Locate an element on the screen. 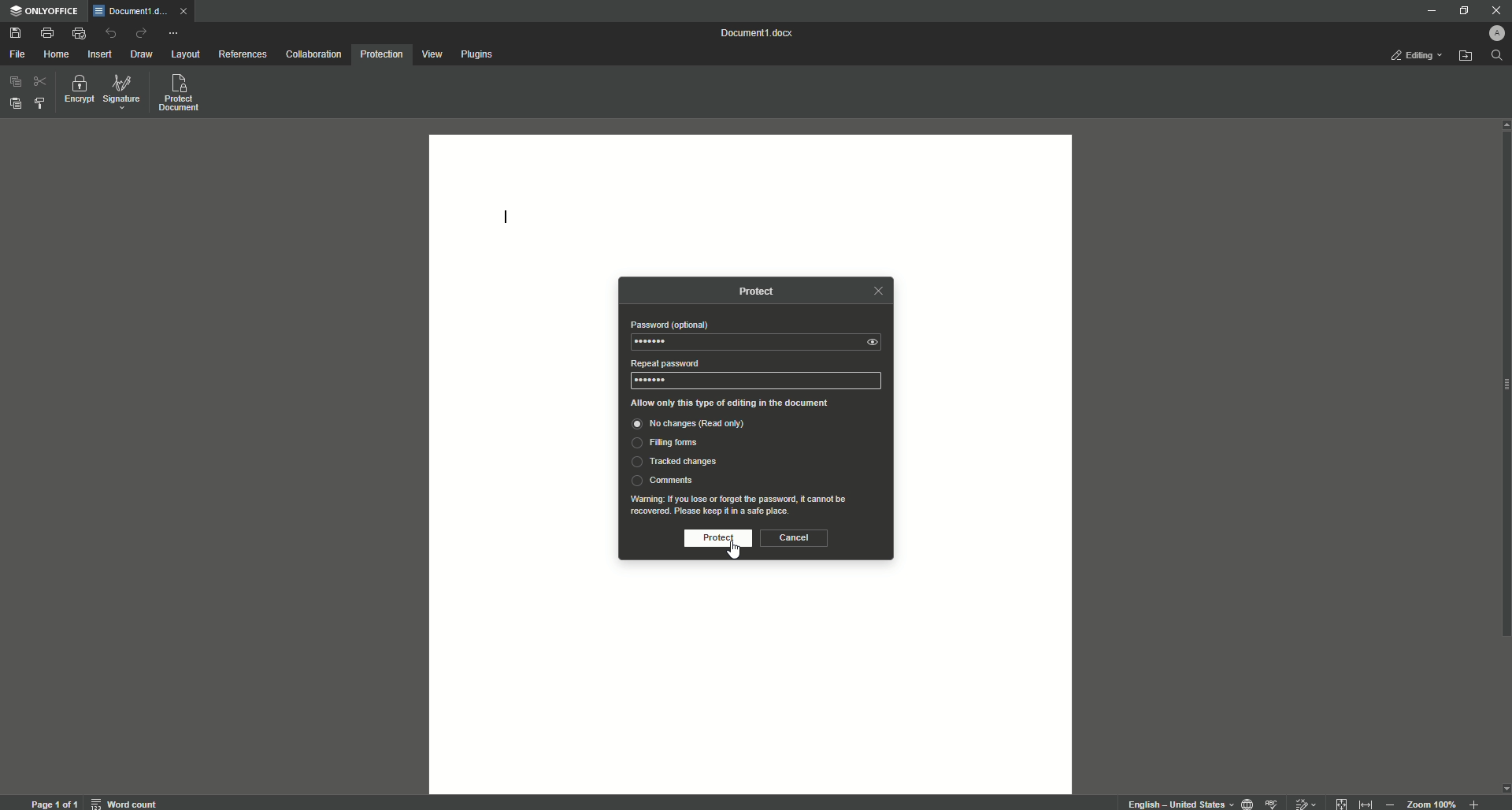  Draw is located at coordinates (143, 54).